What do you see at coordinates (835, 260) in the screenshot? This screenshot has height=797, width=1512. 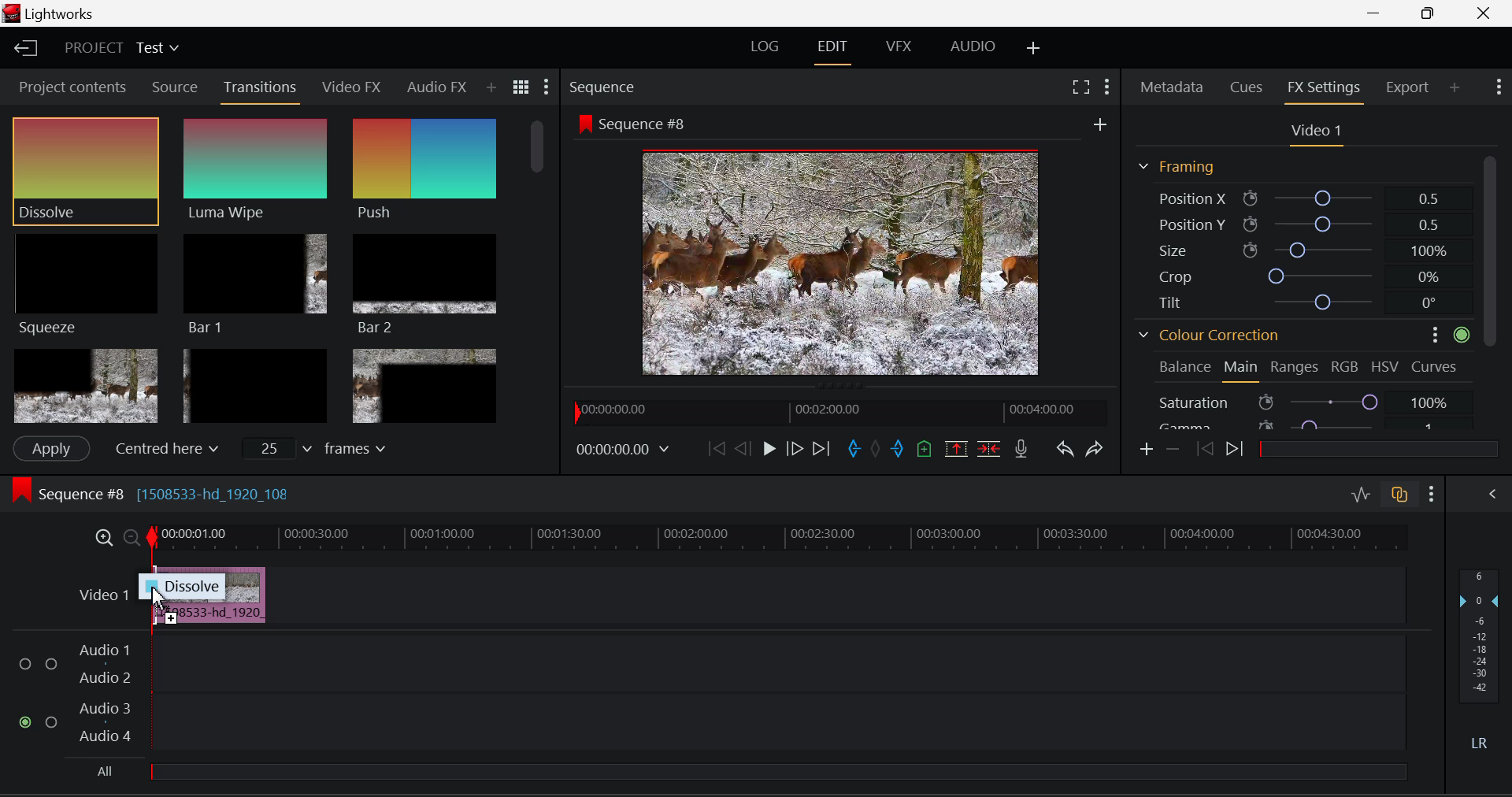 I see `Preview Screen Altered` at bounding box center [835, 260].